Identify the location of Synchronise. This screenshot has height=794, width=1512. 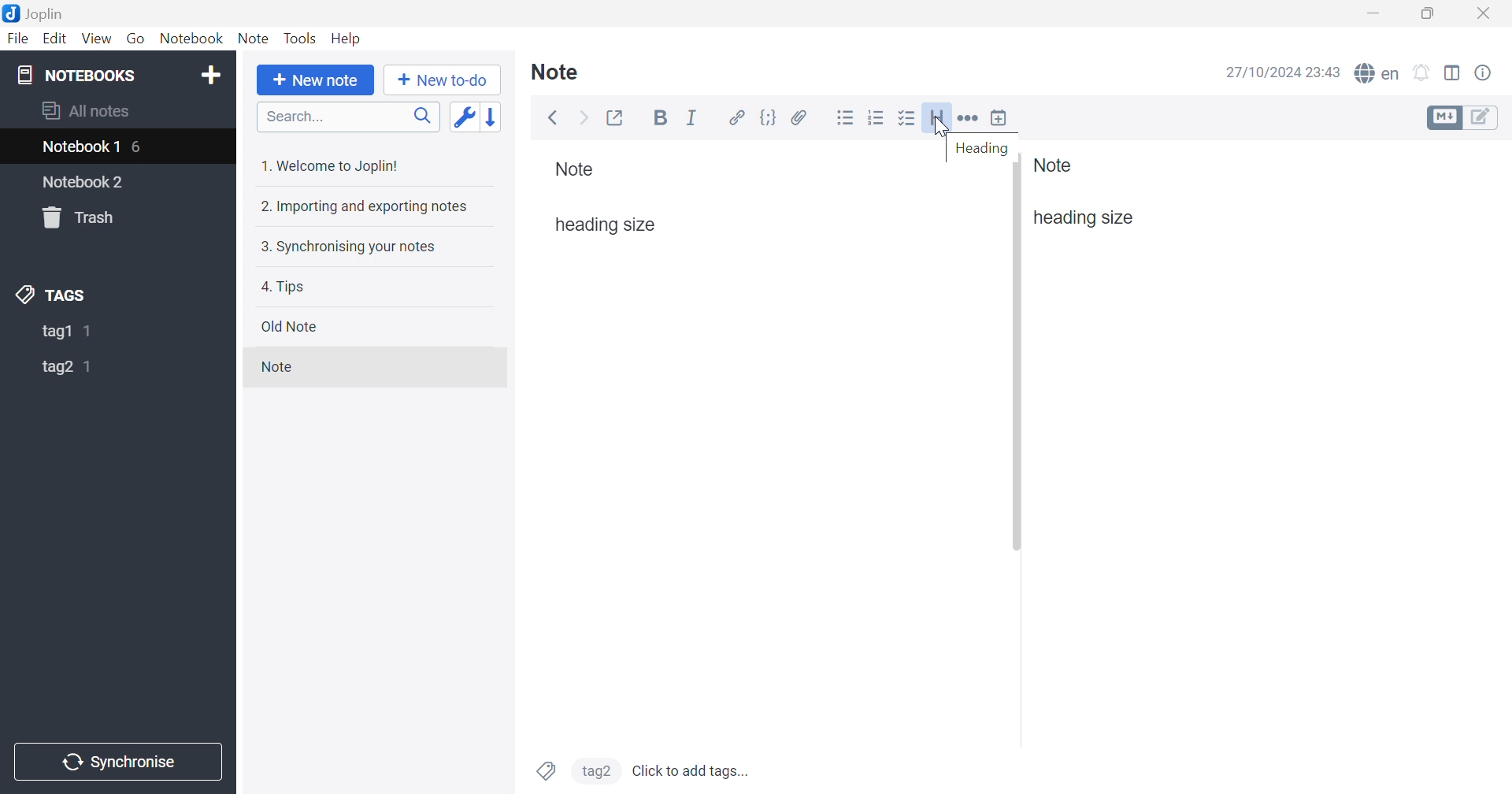
(117, 762).